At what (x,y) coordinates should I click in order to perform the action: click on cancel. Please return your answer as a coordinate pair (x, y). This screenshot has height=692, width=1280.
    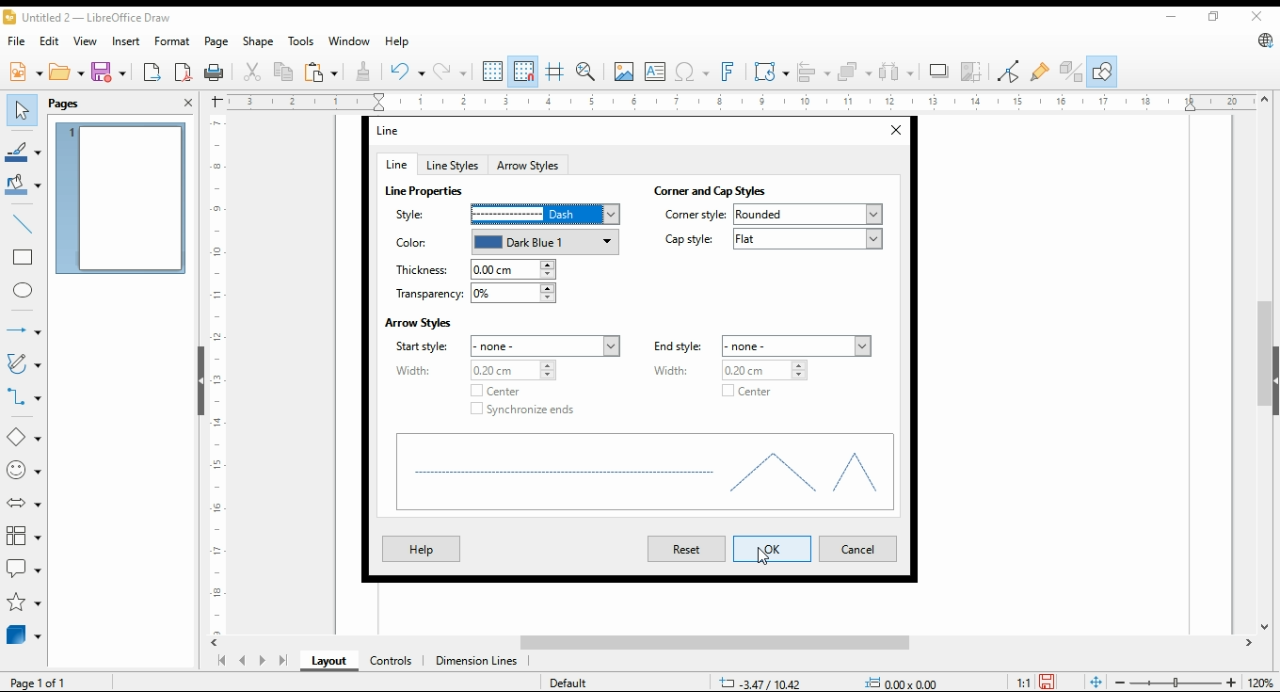
    Looking at the image, I should click on (856, 550).